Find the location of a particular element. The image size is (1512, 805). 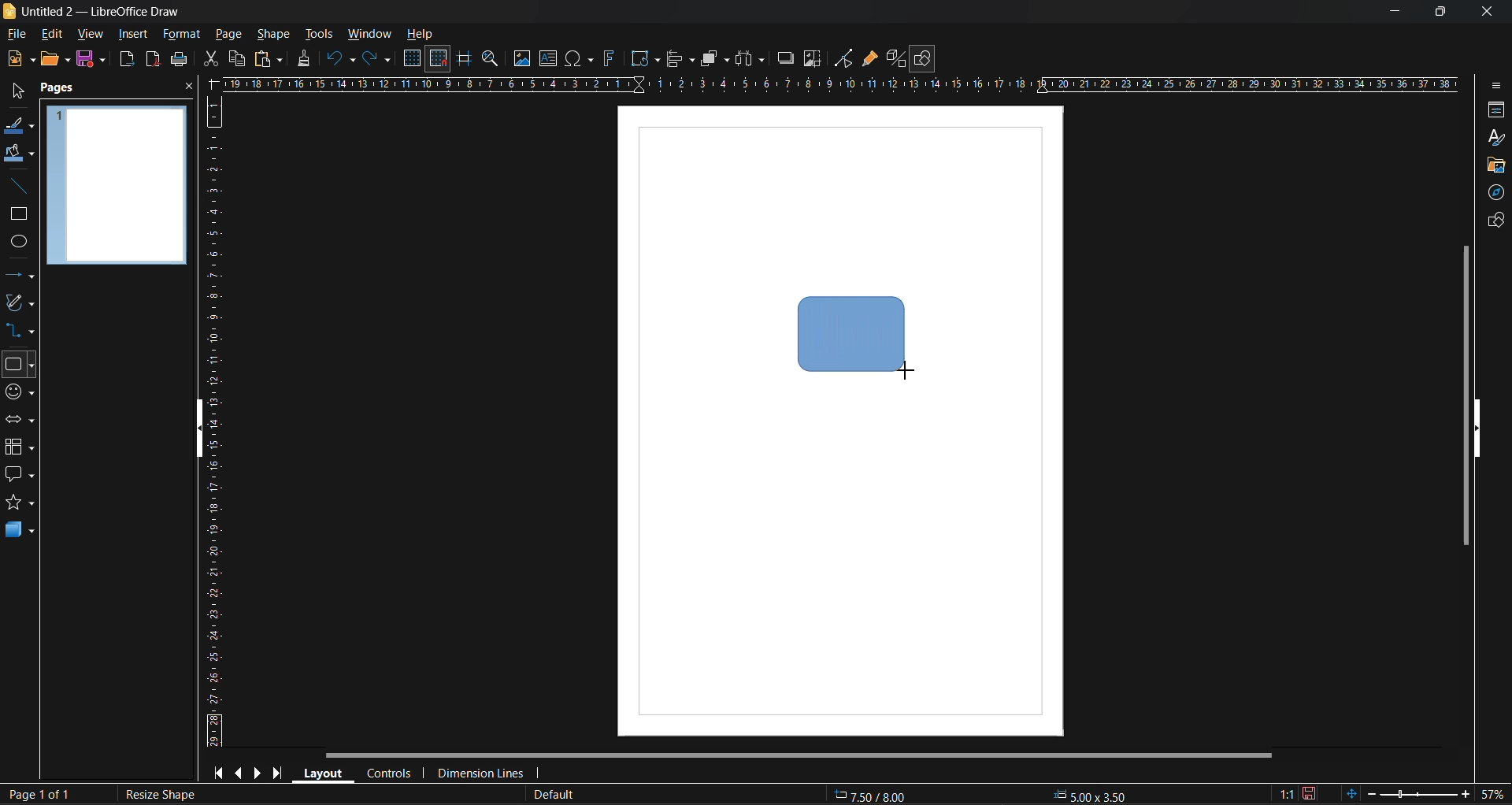

clone formatting is located at coordinates (308, 59).